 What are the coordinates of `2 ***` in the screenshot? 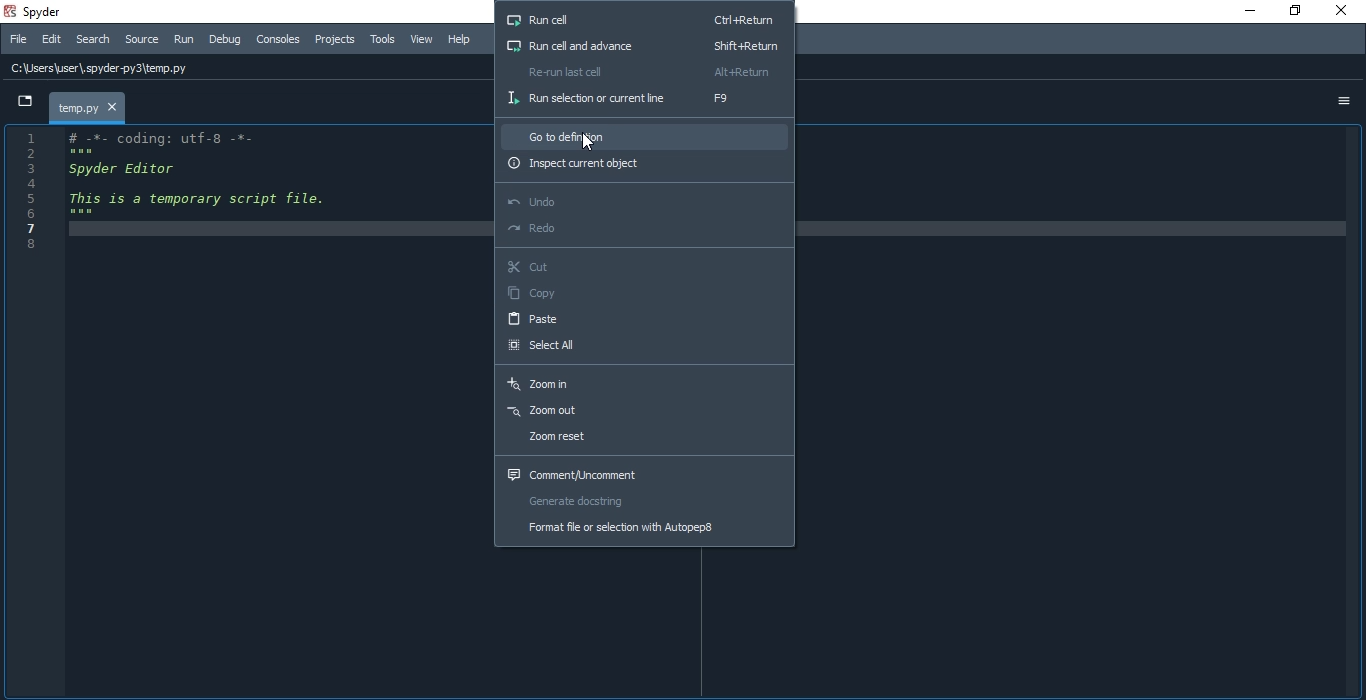 It's located at (76, 152).